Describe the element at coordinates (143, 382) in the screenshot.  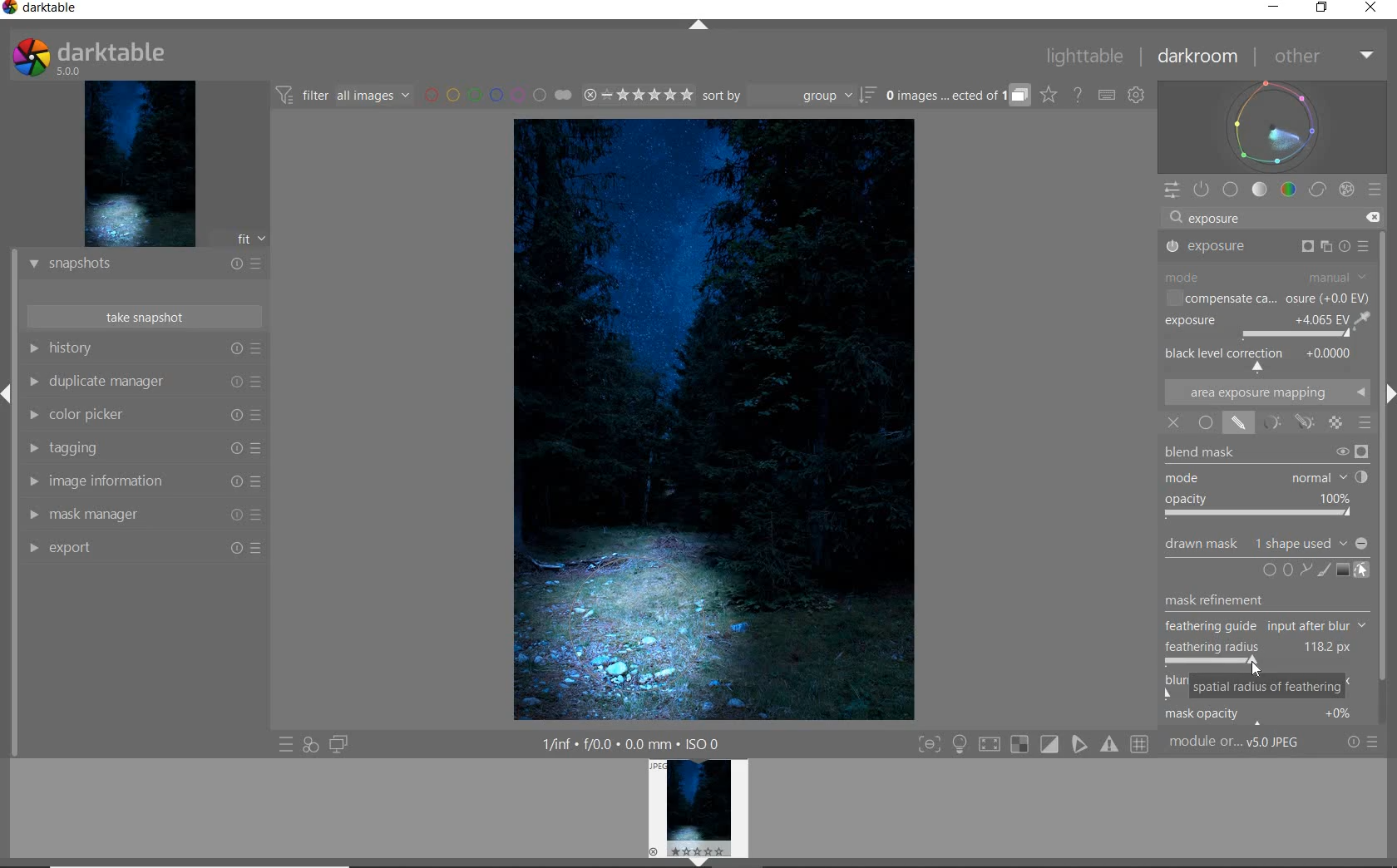
I see `DUPLICATE MANAGER` at that location.